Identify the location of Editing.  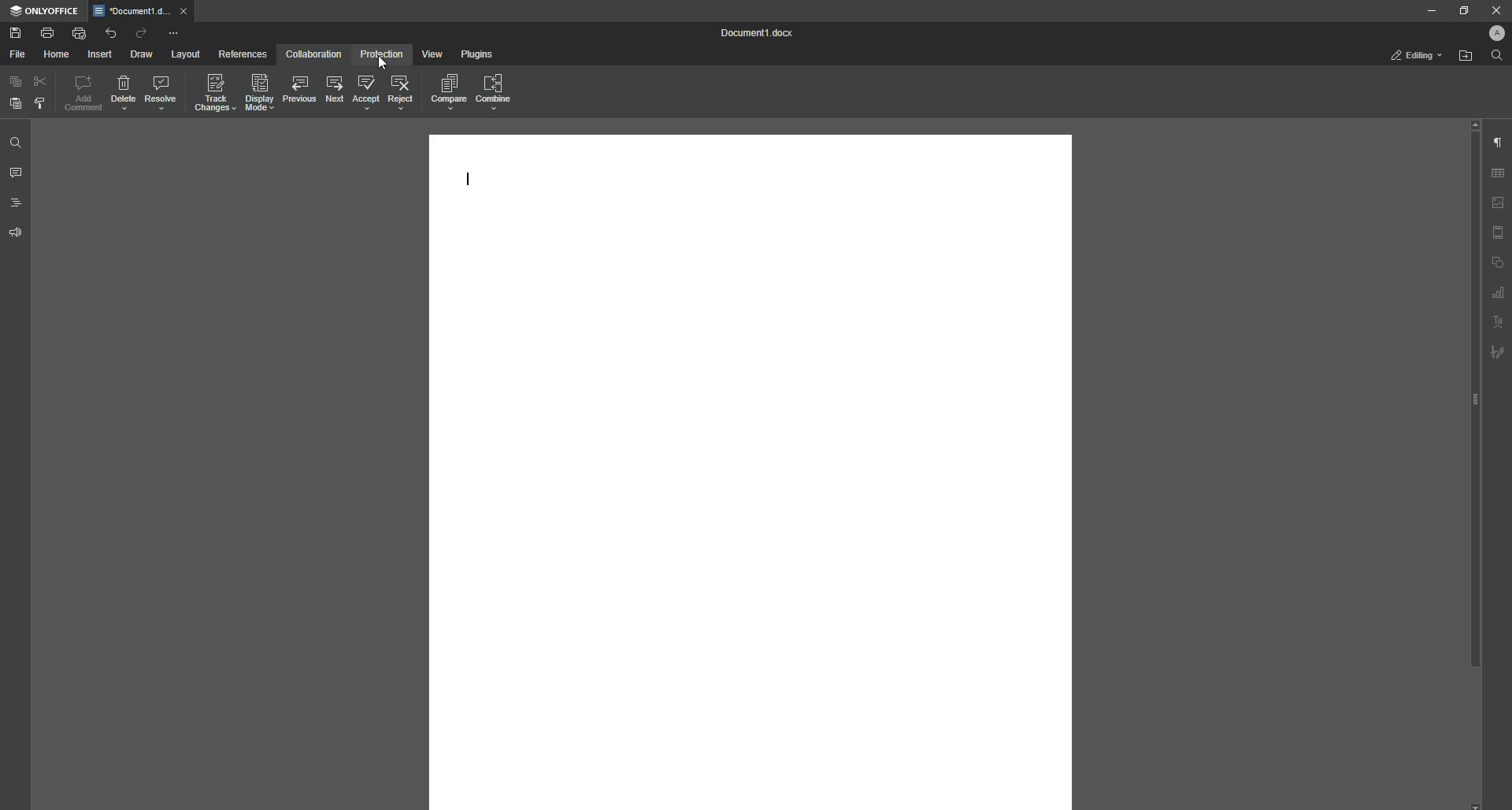
(1416, 56).